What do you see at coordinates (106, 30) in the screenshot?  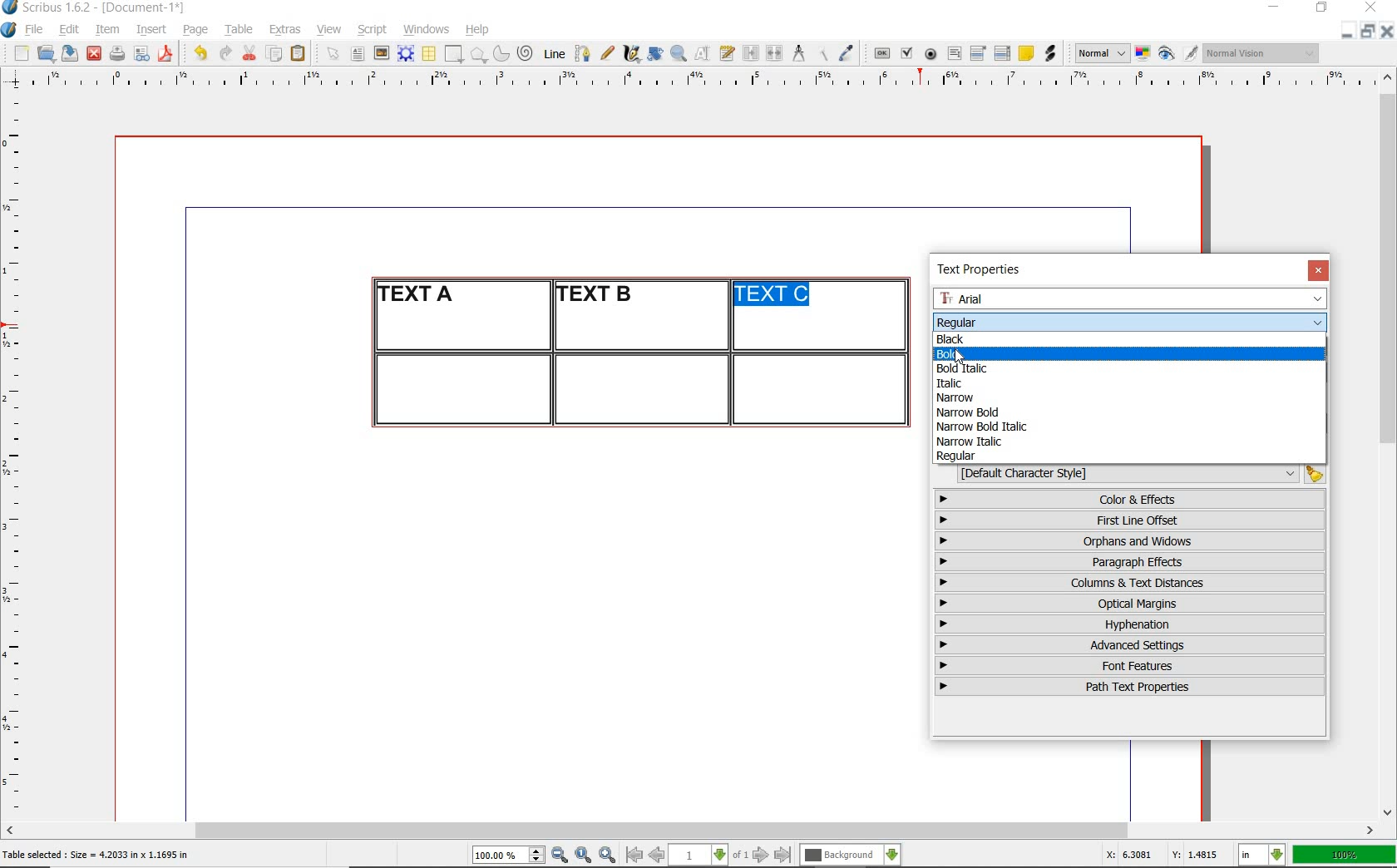 I see `item` at bounding box center [106, 30].